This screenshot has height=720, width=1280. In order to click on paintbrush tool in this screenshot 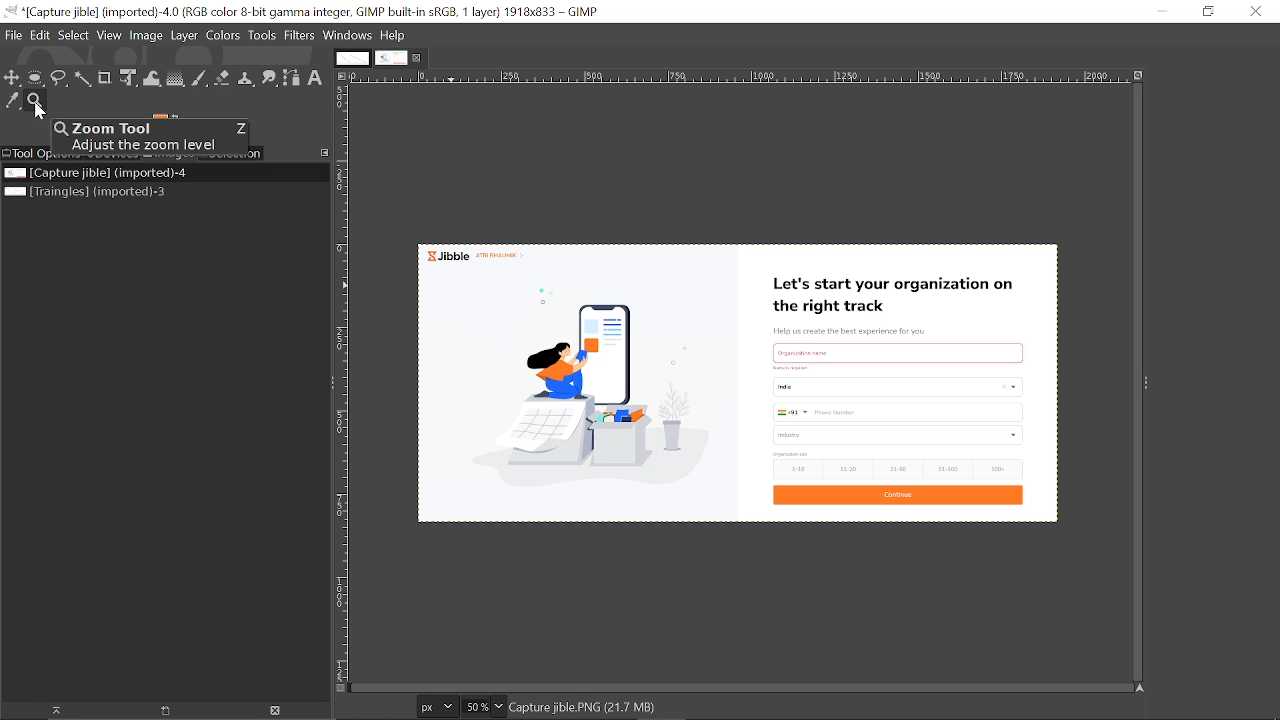, I will do `click(200, 79)`.